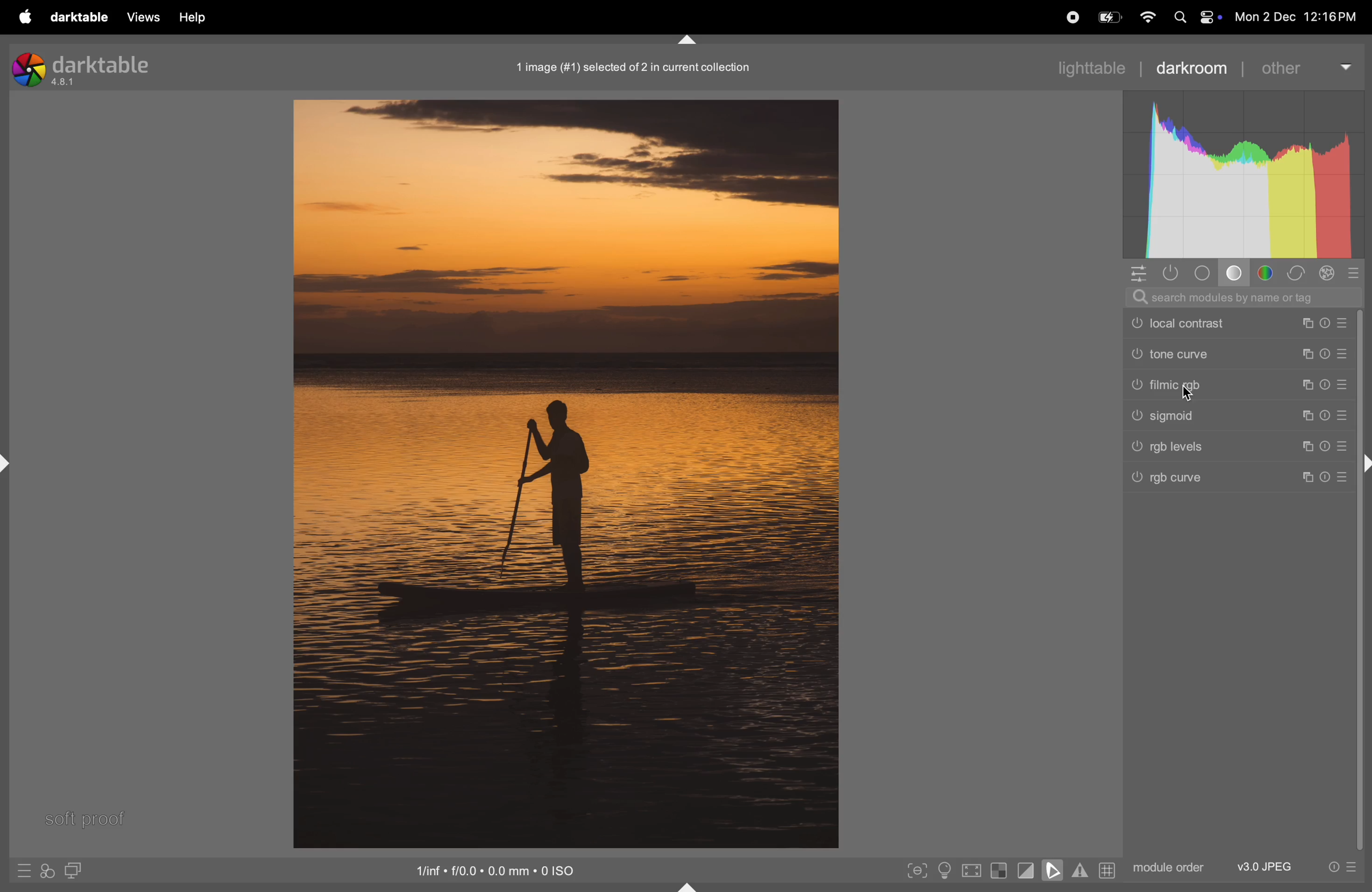 The height and width of the screenshot is (892, 1372). What do you see at coordinates (78, 18) in the screenshot?
I see `darktable` at bounding box center [78, 18].